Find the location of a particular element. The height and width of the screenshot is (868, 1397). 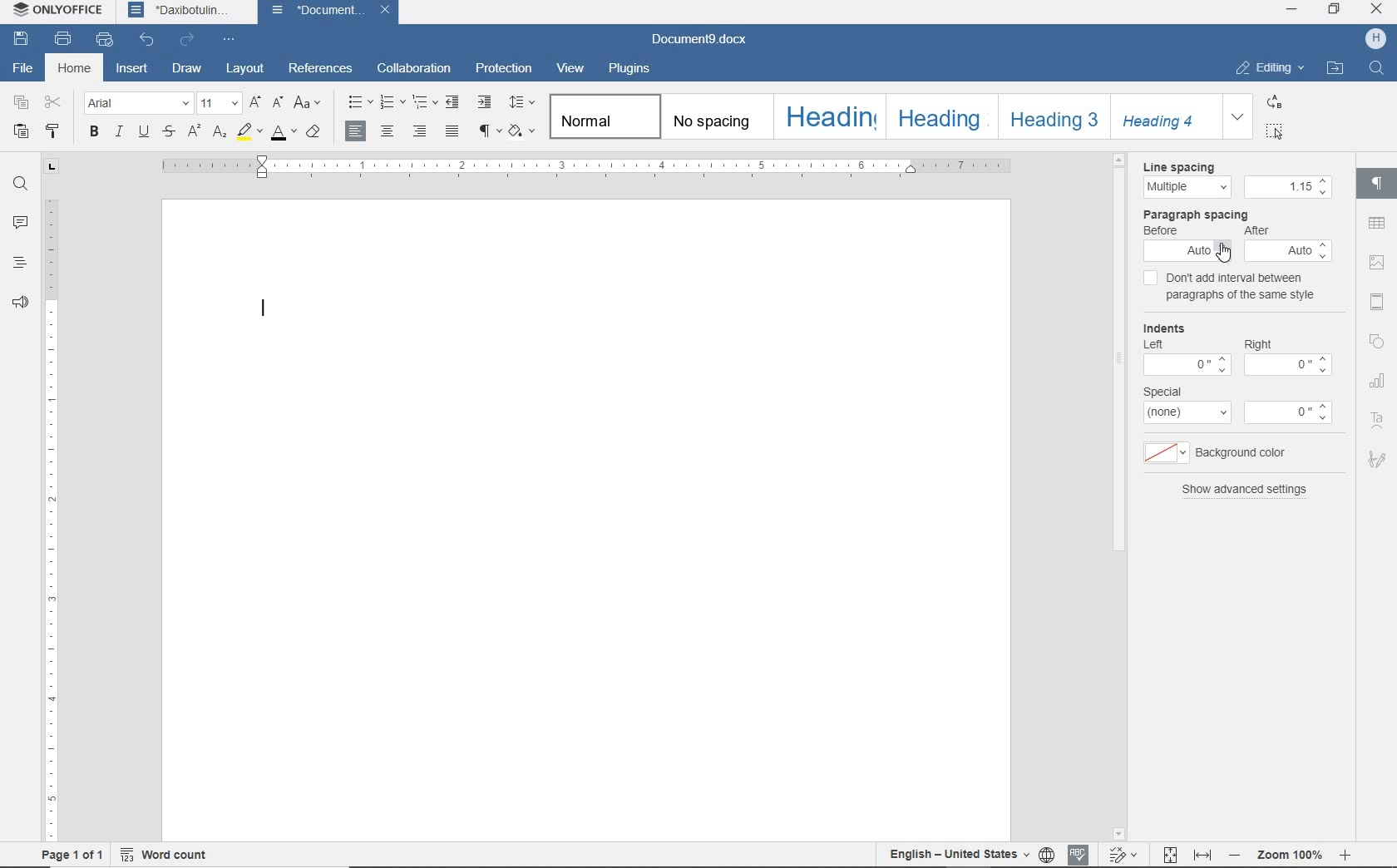

highlight color is located at coordinates (250, 132).